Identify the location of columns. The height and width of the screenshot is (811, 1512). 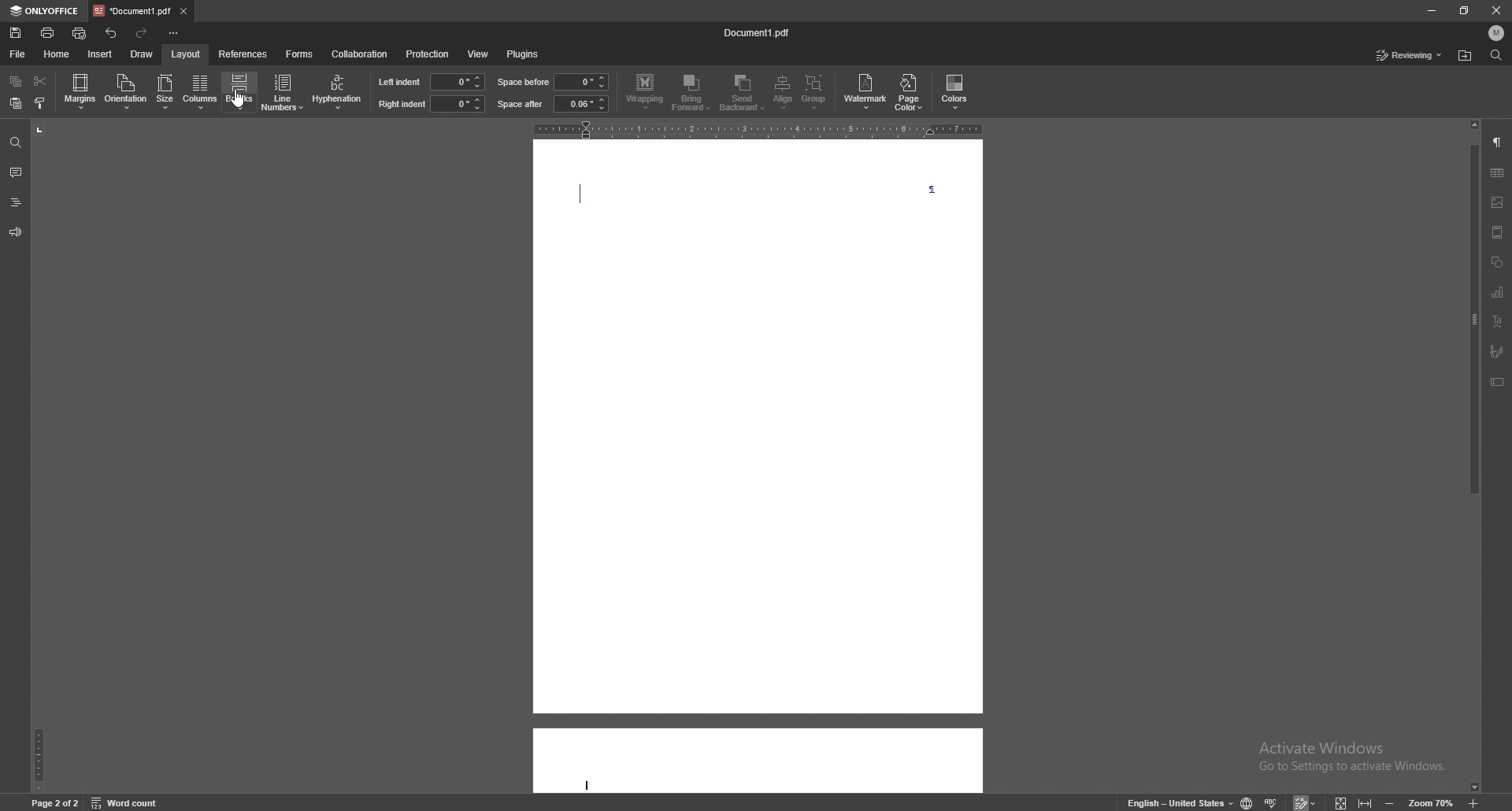
(202, 91).